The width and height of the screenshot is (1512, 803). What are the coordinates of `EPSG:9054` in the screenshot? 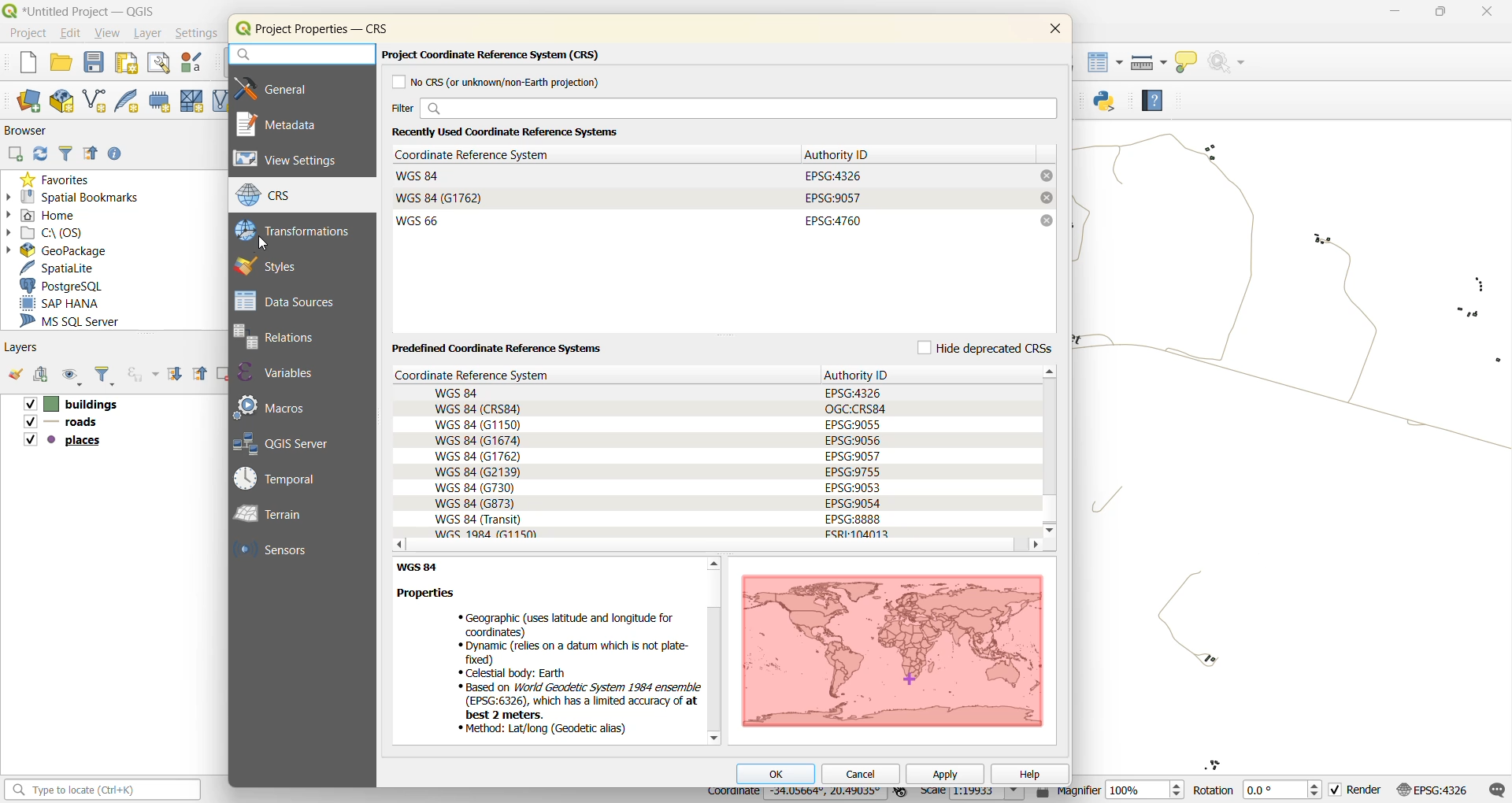 It's located at (854, 503).